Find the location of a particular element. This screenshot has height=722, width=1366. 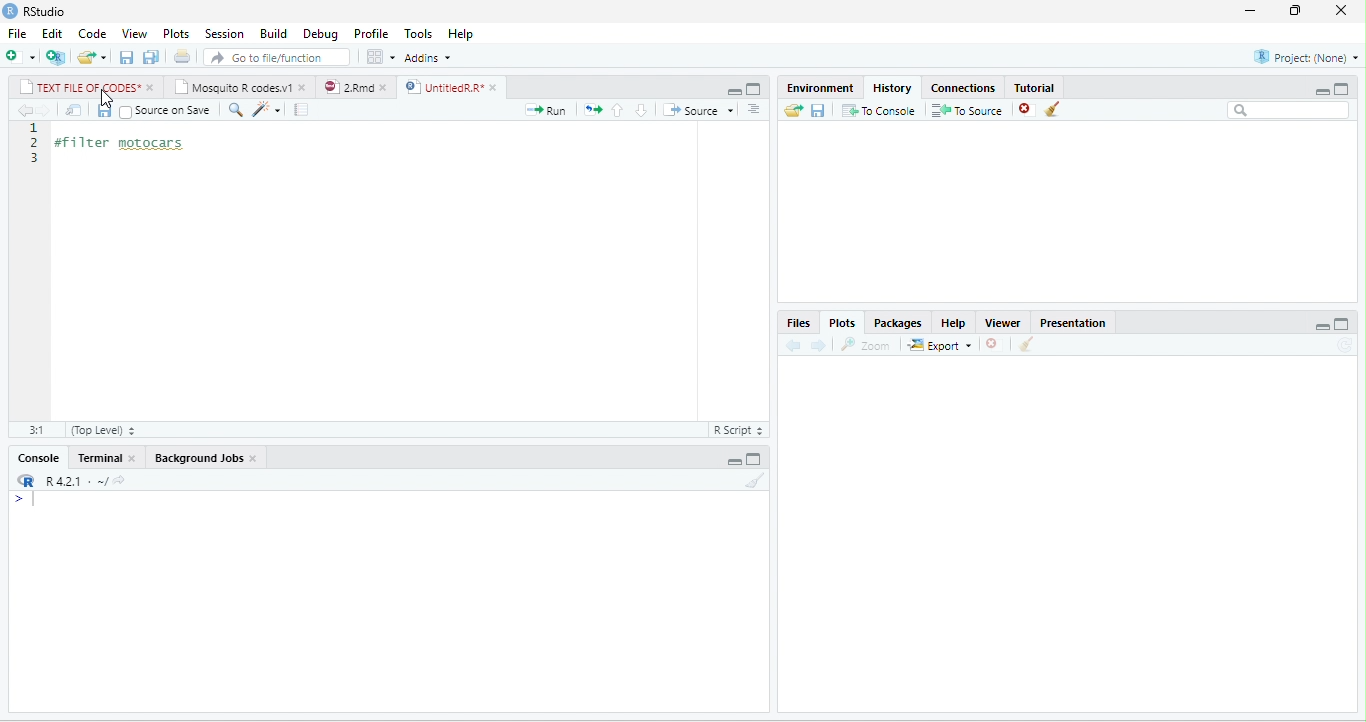

options is located at coordinates (754, 109).